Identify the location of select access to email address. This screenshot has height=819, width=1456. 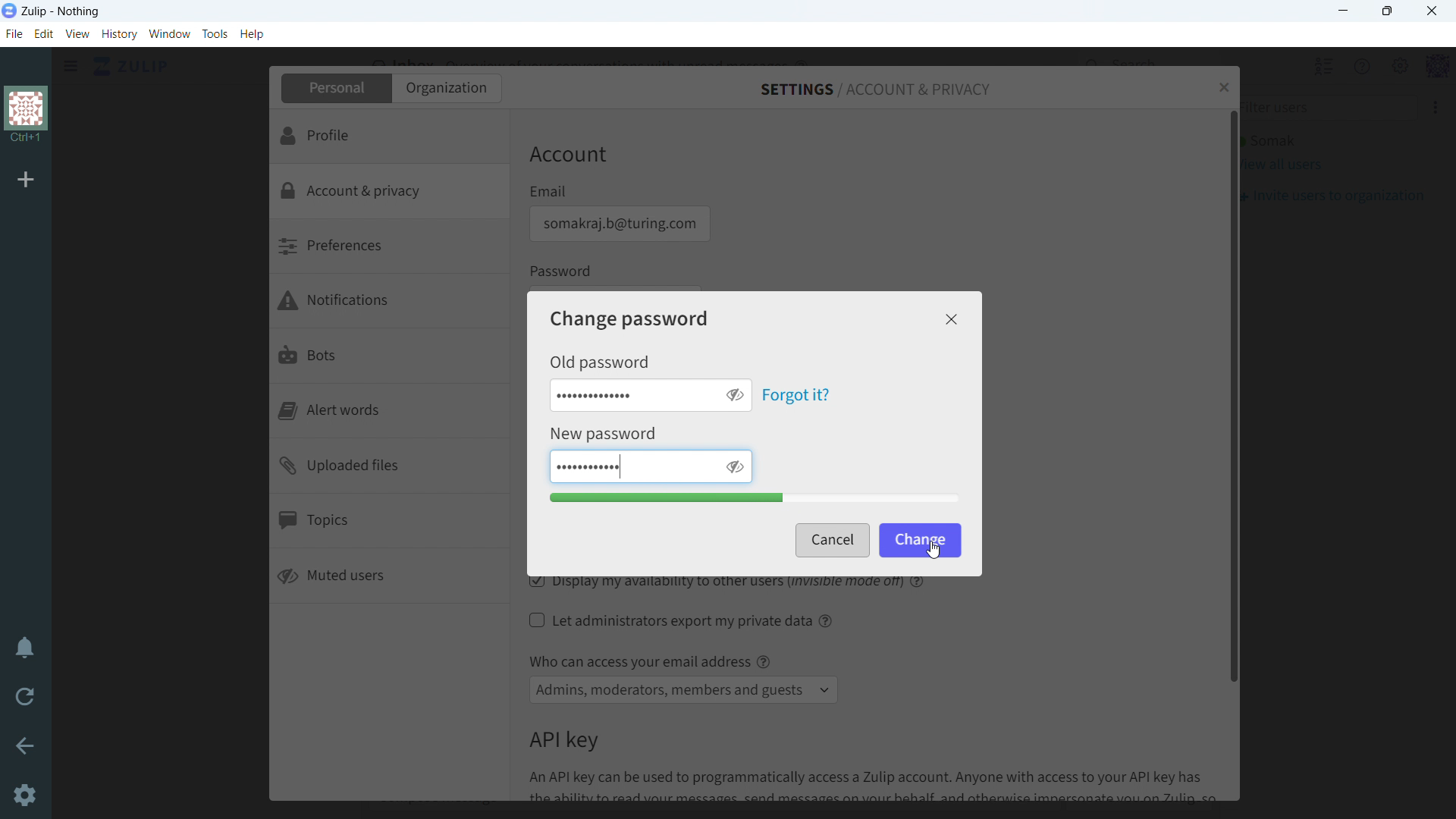
(684, 690).